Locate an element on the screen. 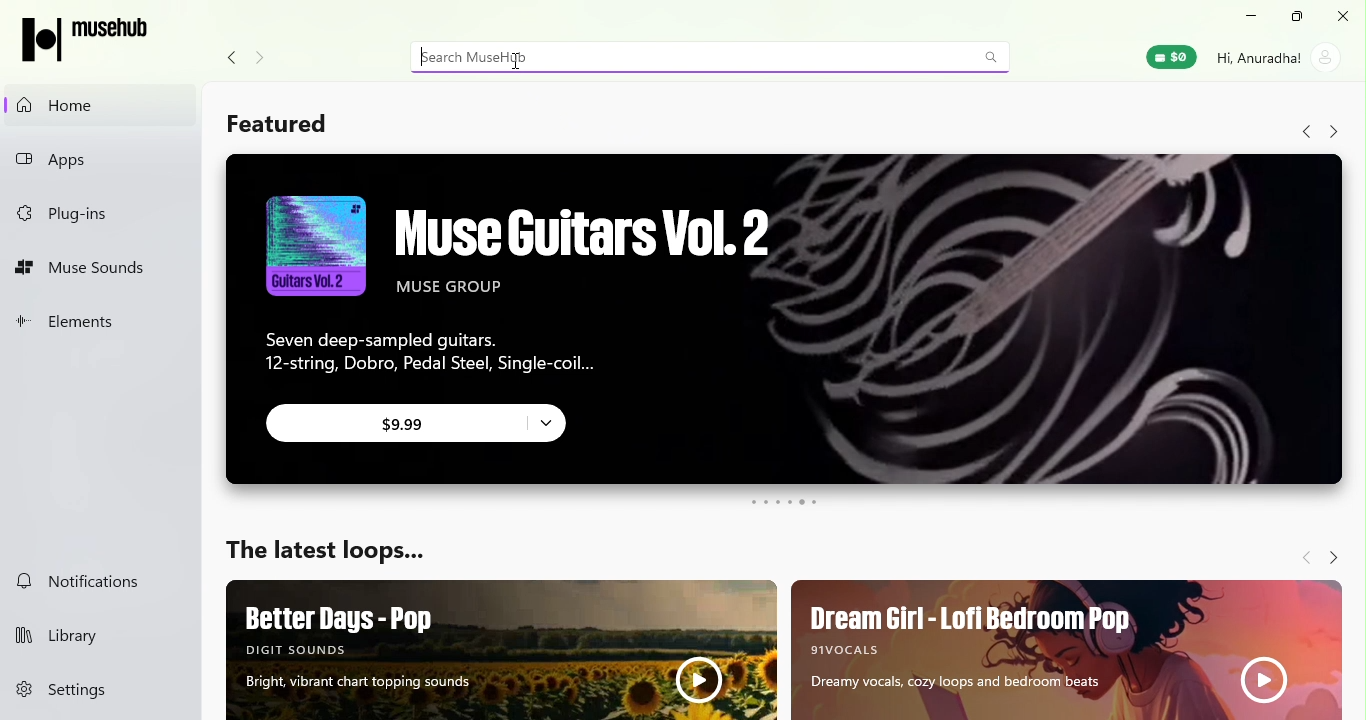 This screenshot has width=1366, height=720. Close is located at coordinates (1345, 17).